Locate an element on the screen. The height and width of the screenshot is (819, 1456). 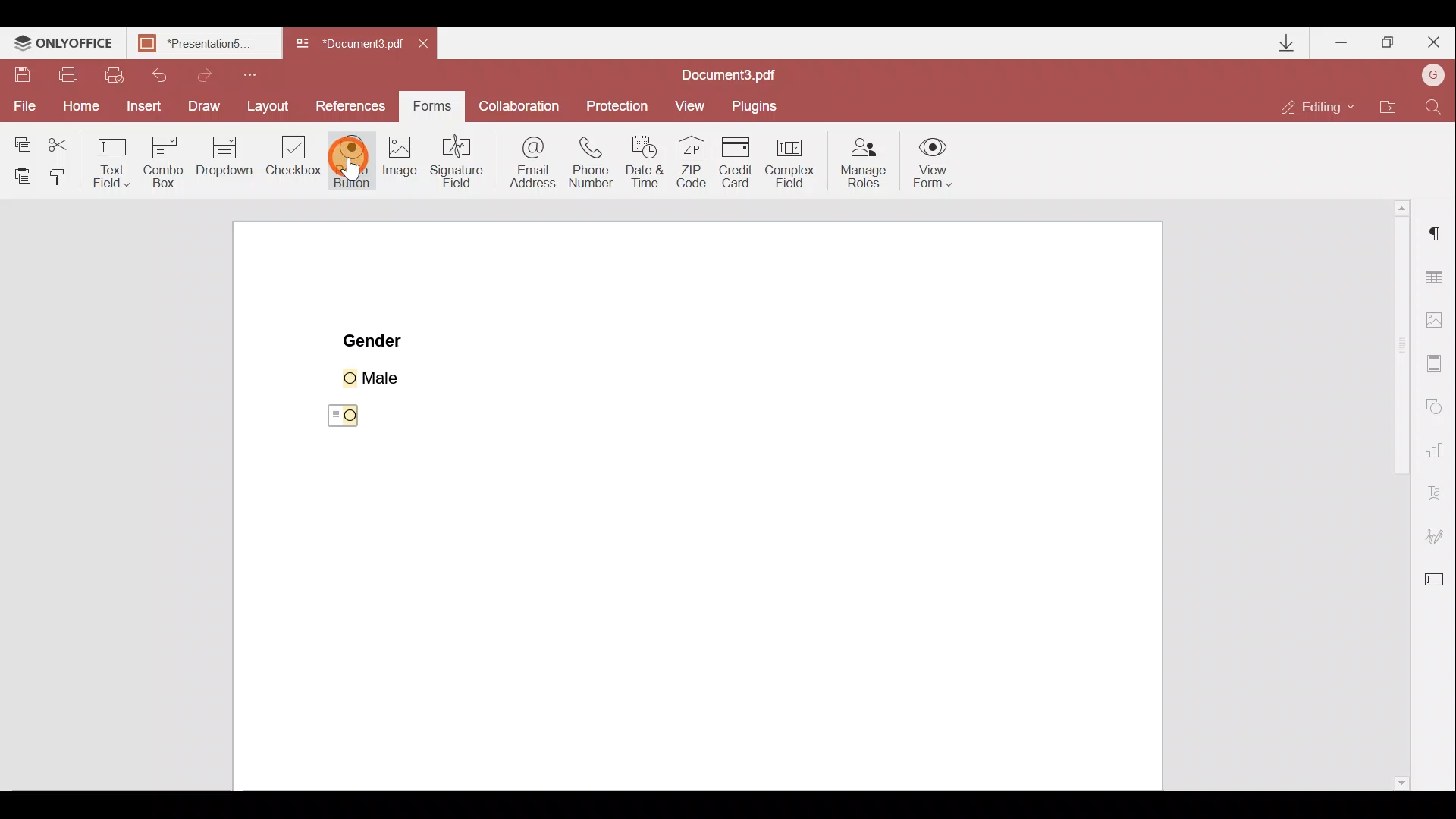
Copy is located at coordinates (19, 140).